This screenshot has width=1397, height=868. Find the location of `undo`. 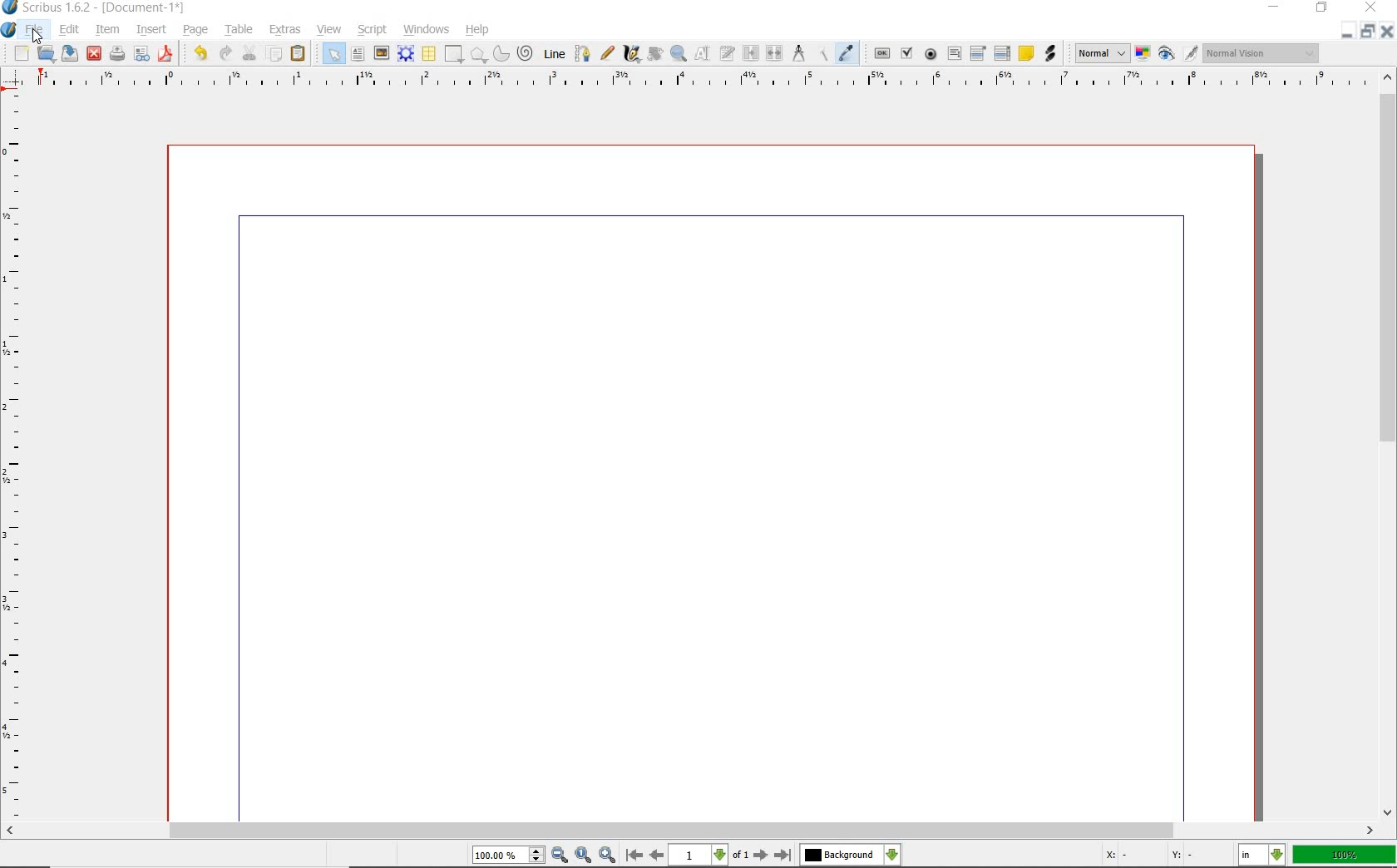

undo is located at coordinates (200, 53).